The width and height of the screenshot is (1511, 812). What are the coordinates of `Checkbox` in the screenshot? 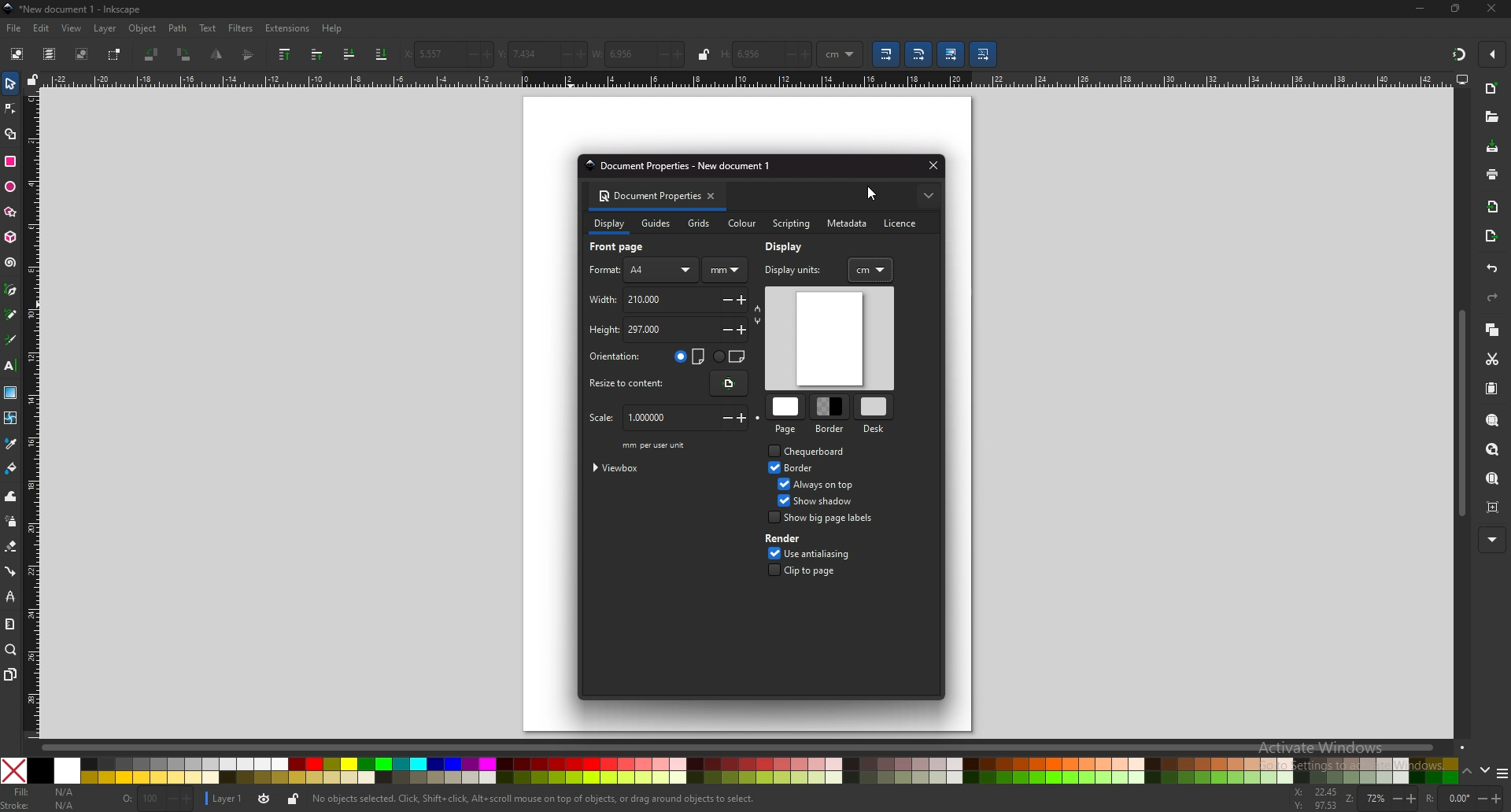 It's located at (770, 552).